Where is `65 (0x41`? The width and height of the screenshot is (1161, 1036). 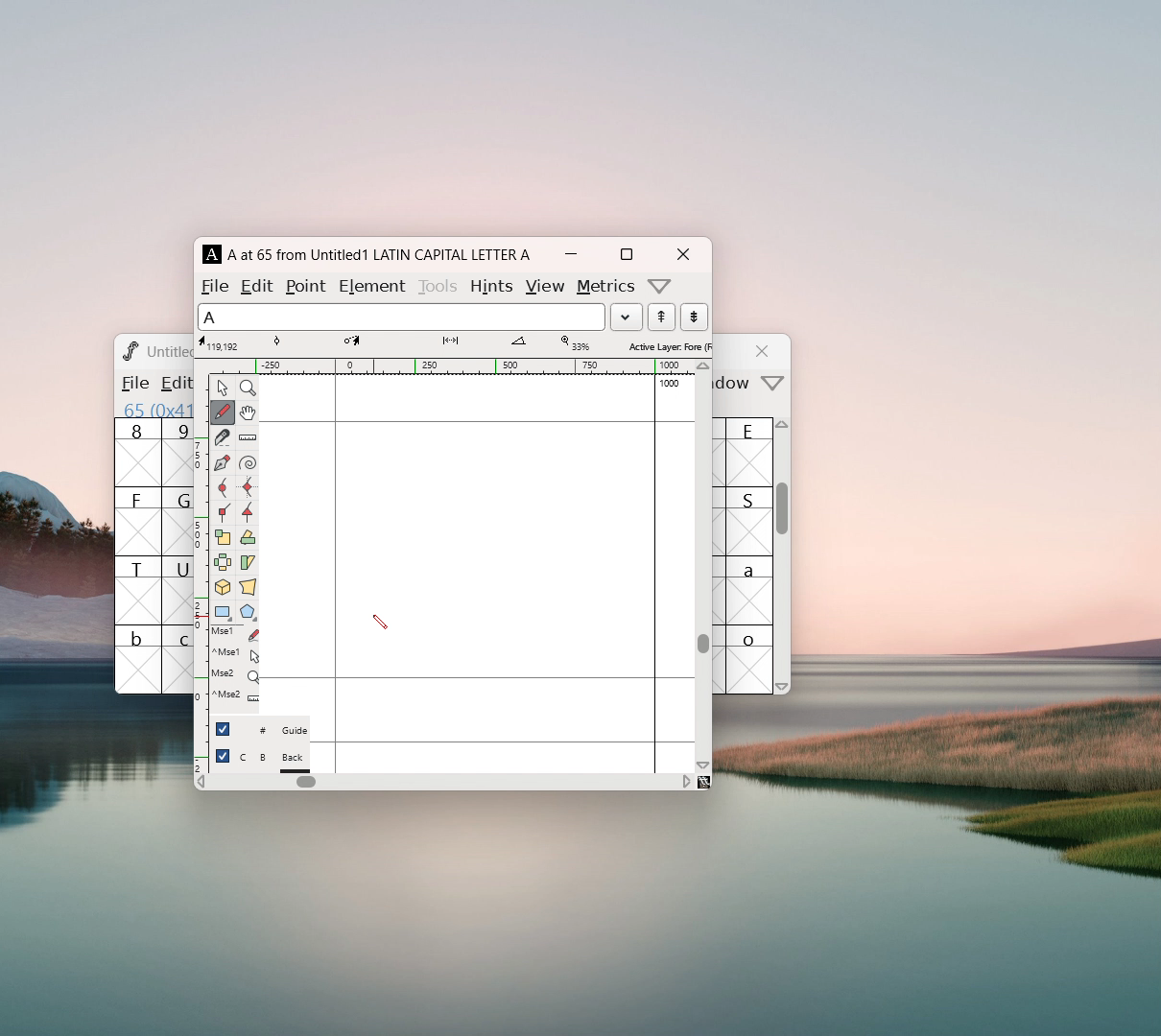 65 (0x41 is located at coordinates (154, 409).